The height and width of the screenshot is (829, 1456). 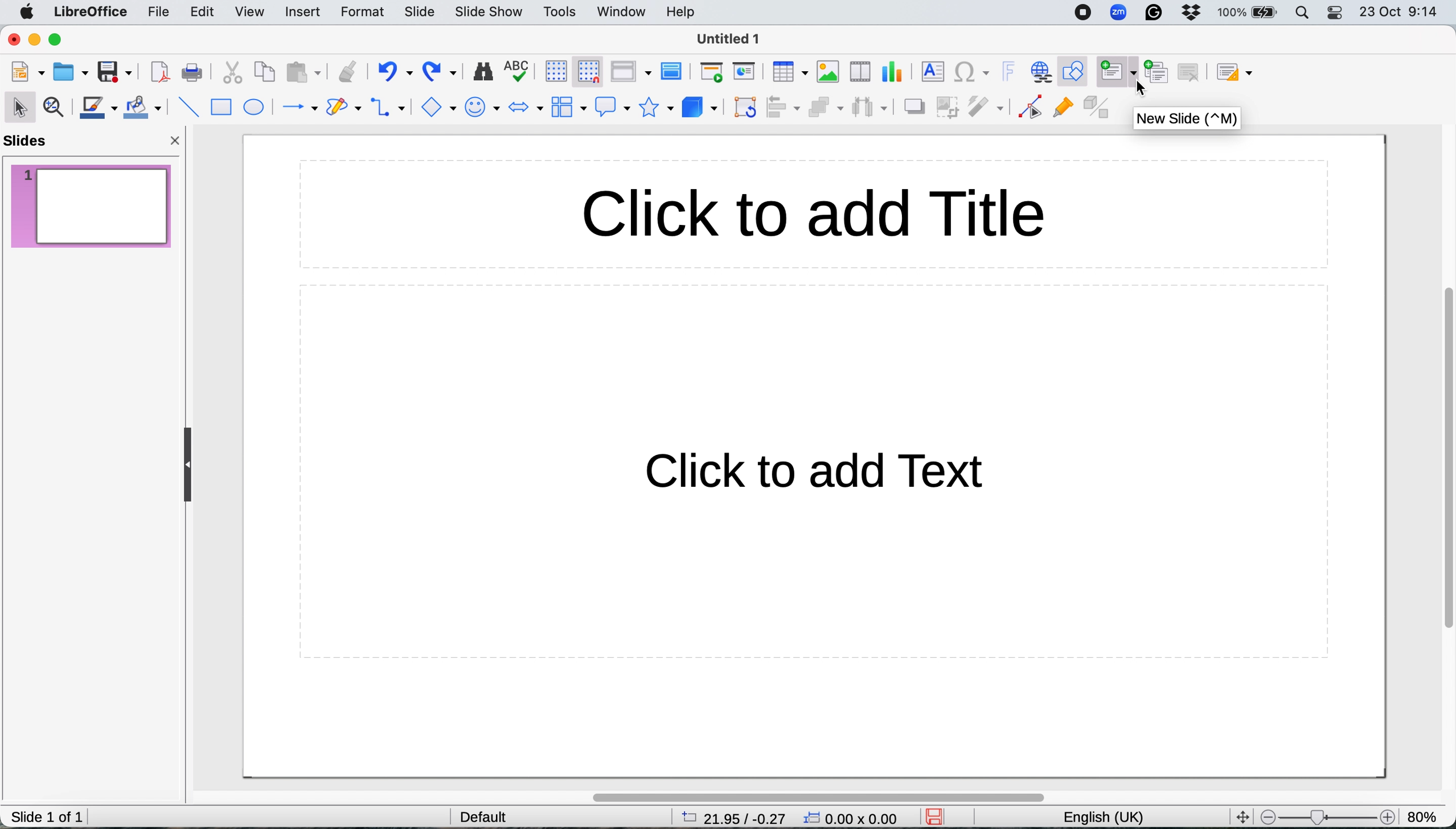 I want to click on curves and polygons, so click(x=343, y=108).